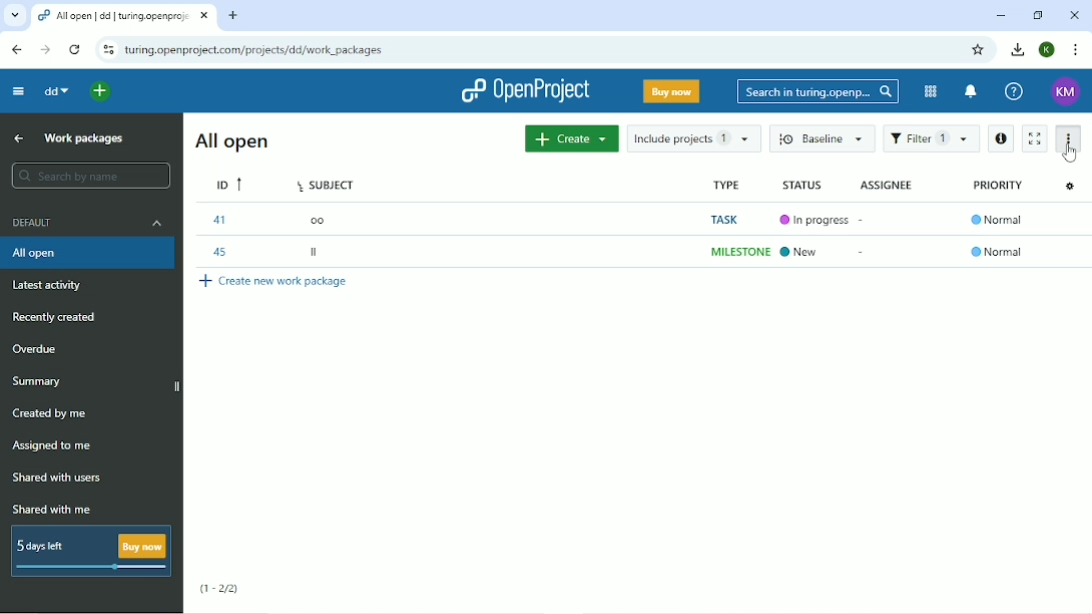 This screenshot has height=614, width=1092. What do you see at coordinates (1071, 186) in the screenshot?
I see `Configure view` at bounding box center [1071, 186].